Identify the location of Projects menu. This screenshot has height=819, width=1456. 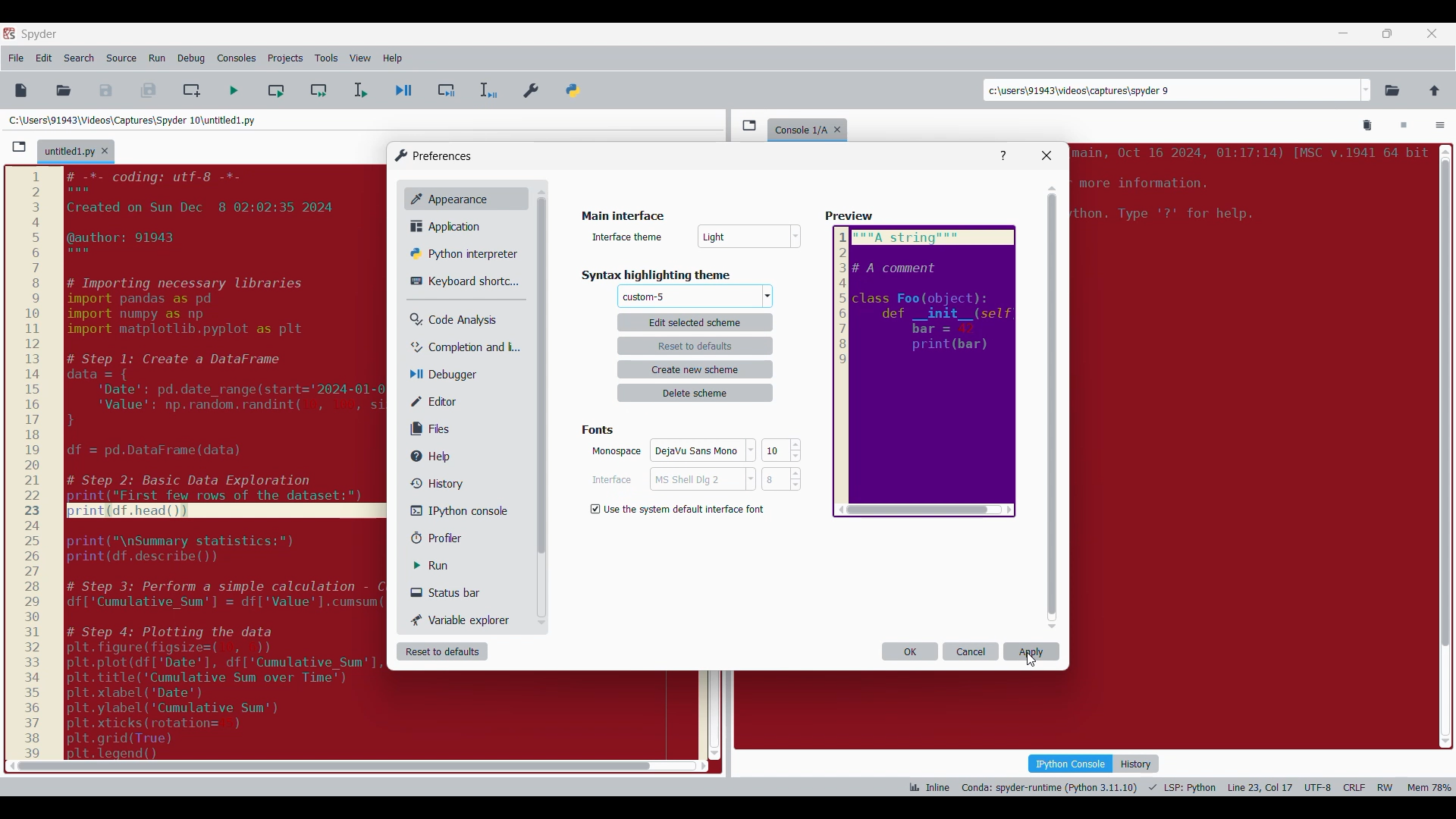
(285, 58).